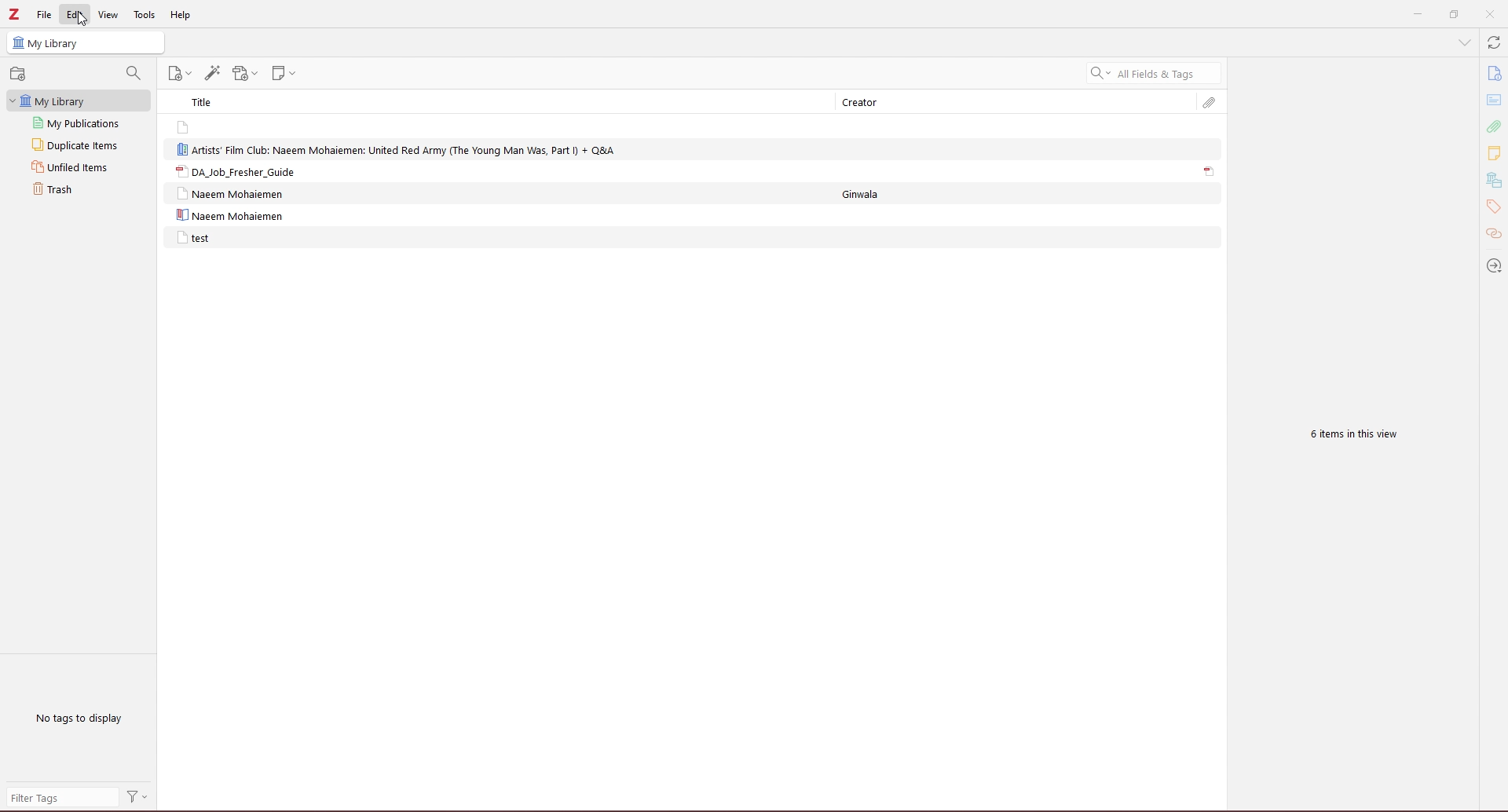 This screenshot has height=812, width=1508. Describe the element at coordinates (1210, 103) in the screenshot. I see `attachment` at that location.